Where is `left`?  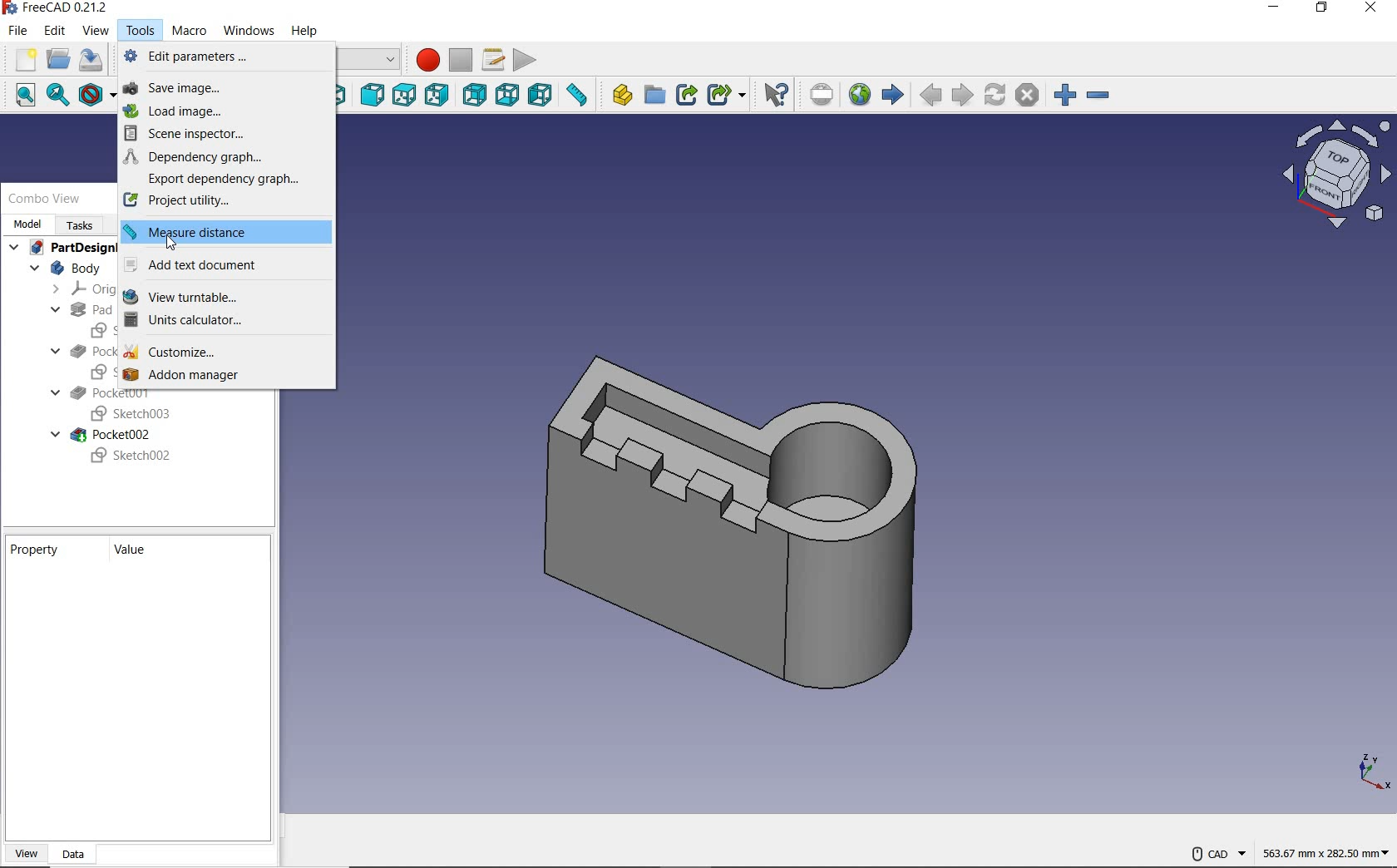
left is located at coordinates (539, 96).